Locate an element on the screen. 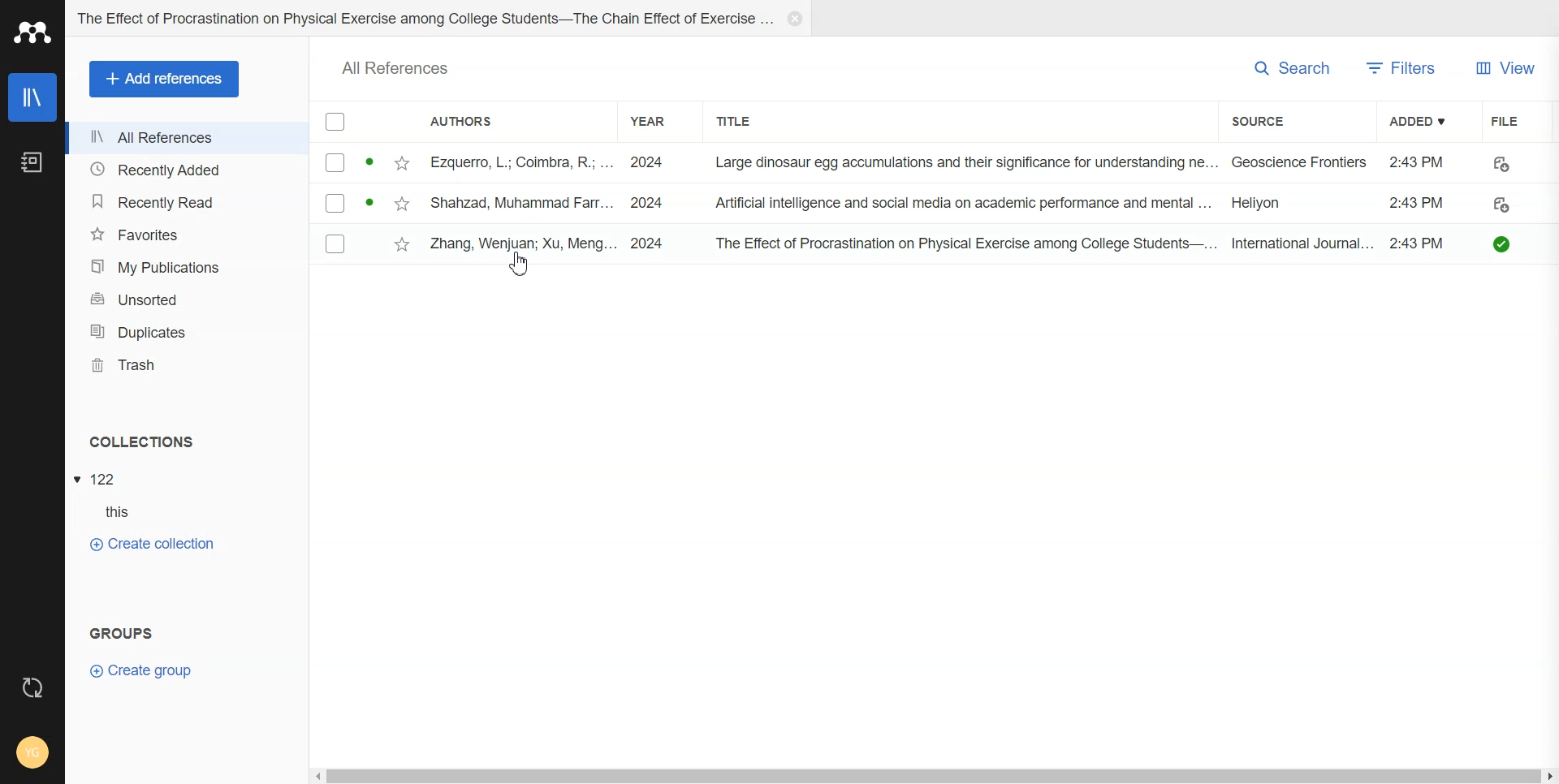  Shahzad, Muhammad Farr... is located at coordinates (520, 201).